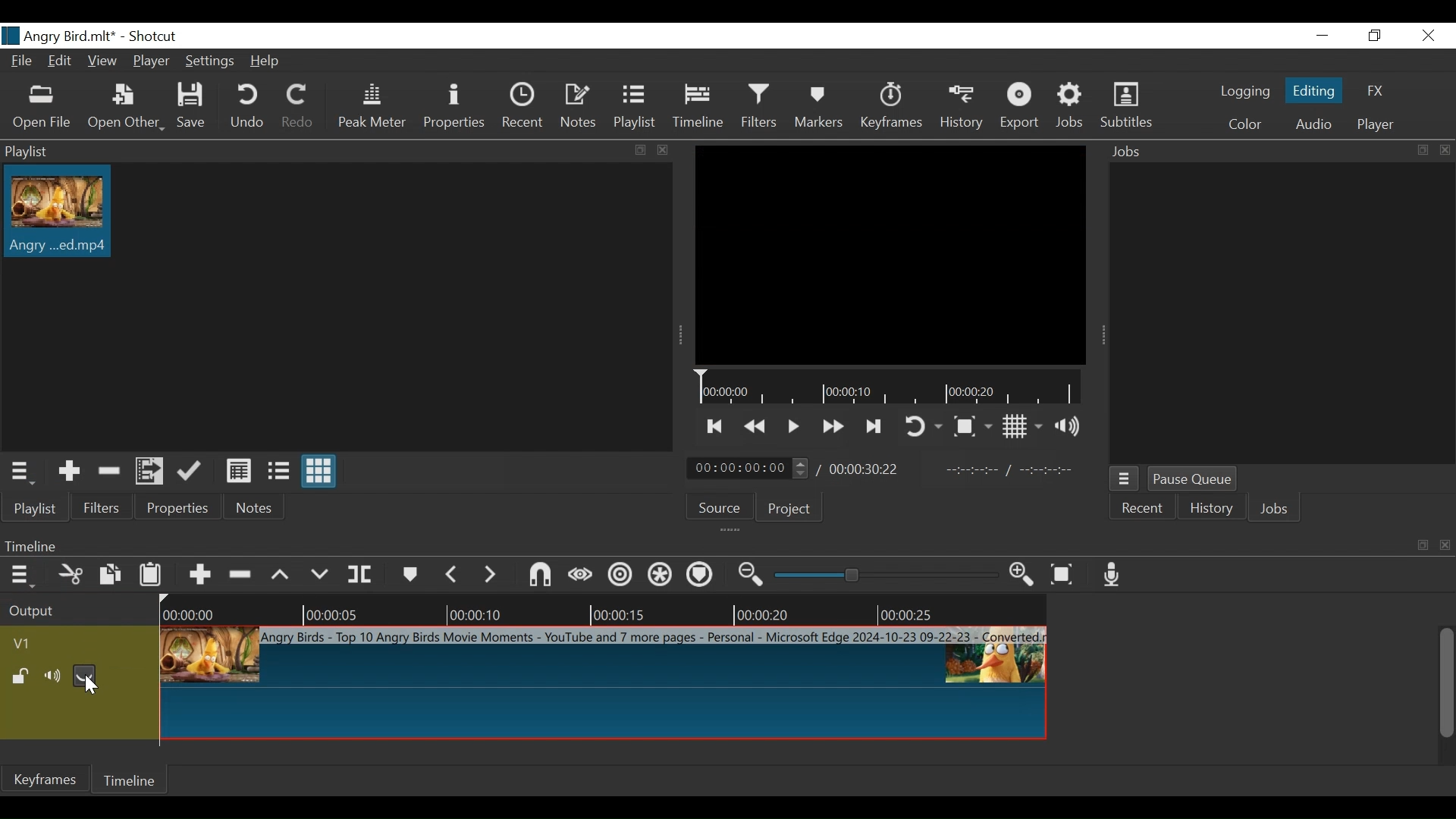  I want to click on Append, so click(199, 575).